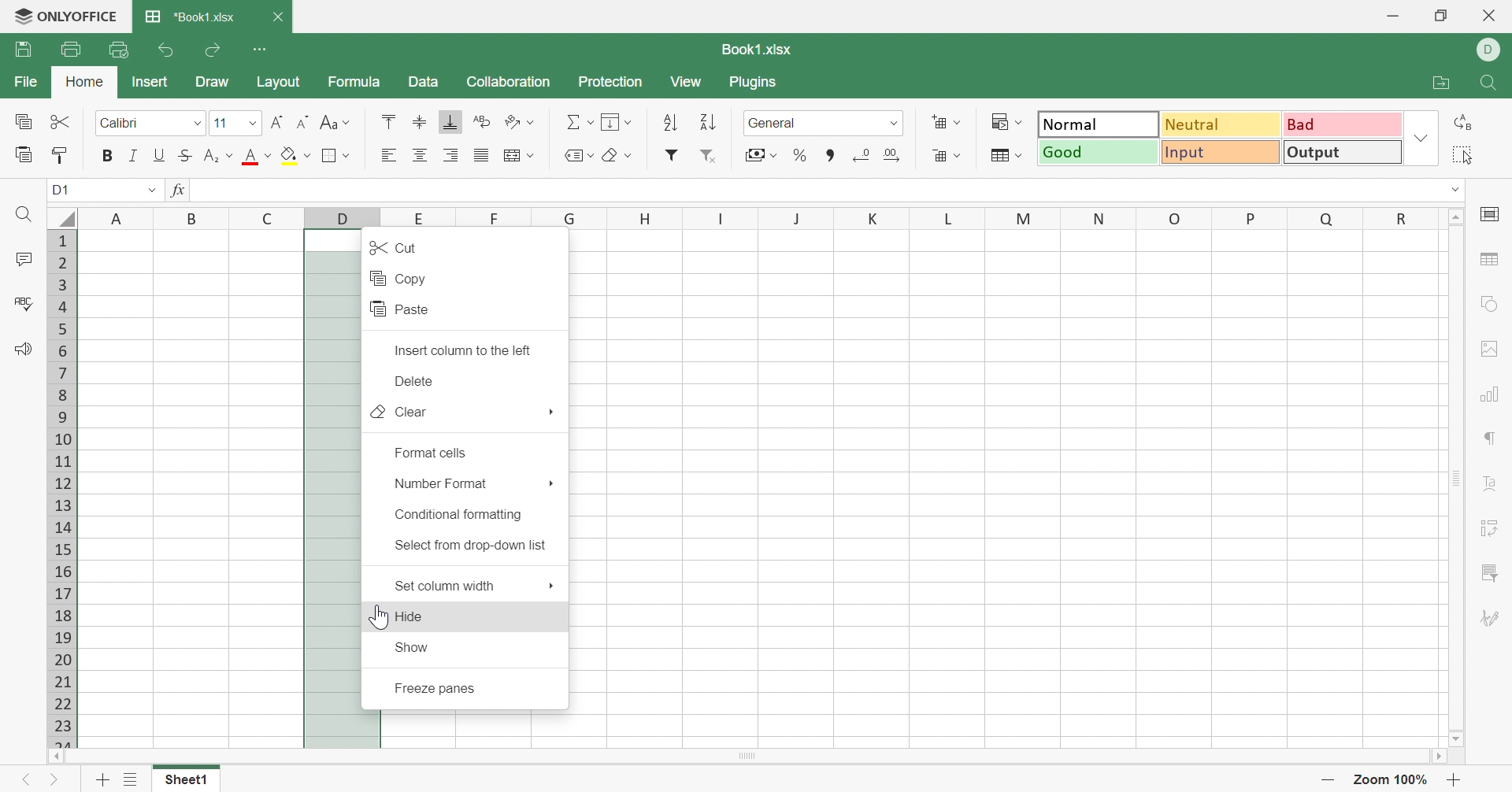 This screenshot has width=1512, height=792. Describe the element at coordinates (447, 588) in the screenshot. I see `Set column width` at that location.